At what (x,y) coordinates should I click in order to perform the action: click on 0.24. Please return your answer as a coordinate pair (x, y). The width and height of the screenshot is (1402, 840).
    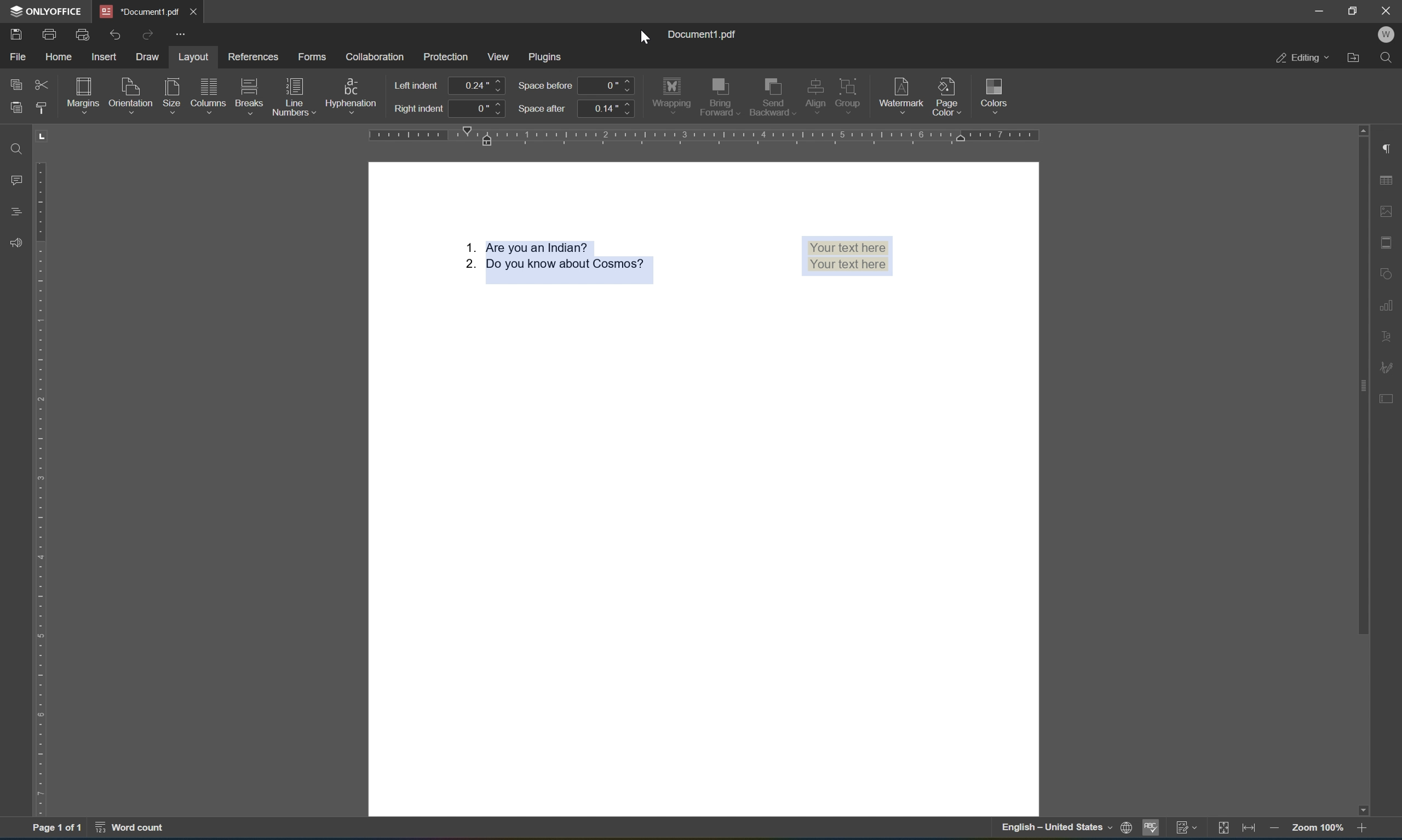
    Looking at the image, I should click on (478, 85).